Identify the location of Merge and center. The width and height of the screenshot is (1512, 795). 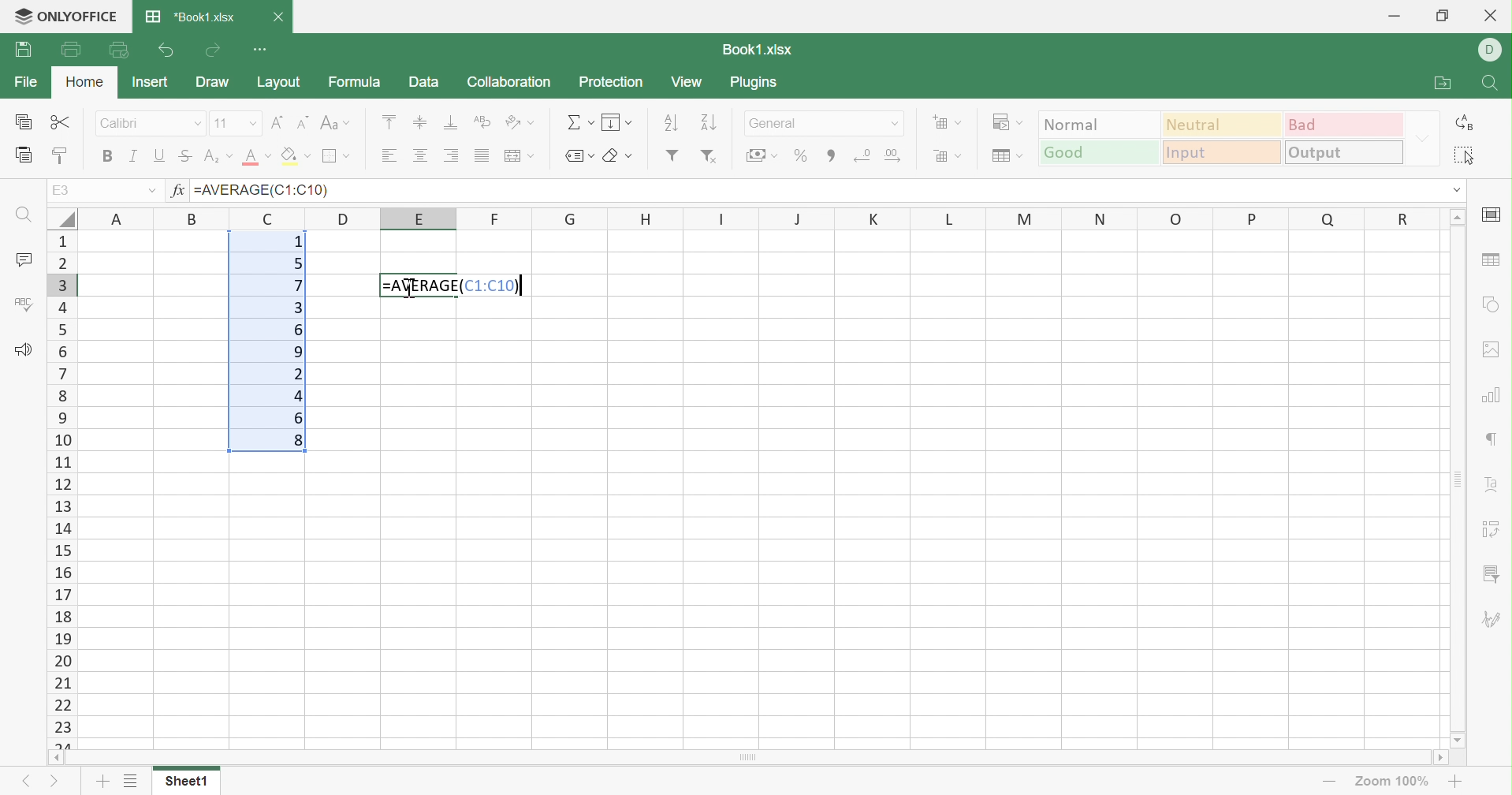
(517, 156).